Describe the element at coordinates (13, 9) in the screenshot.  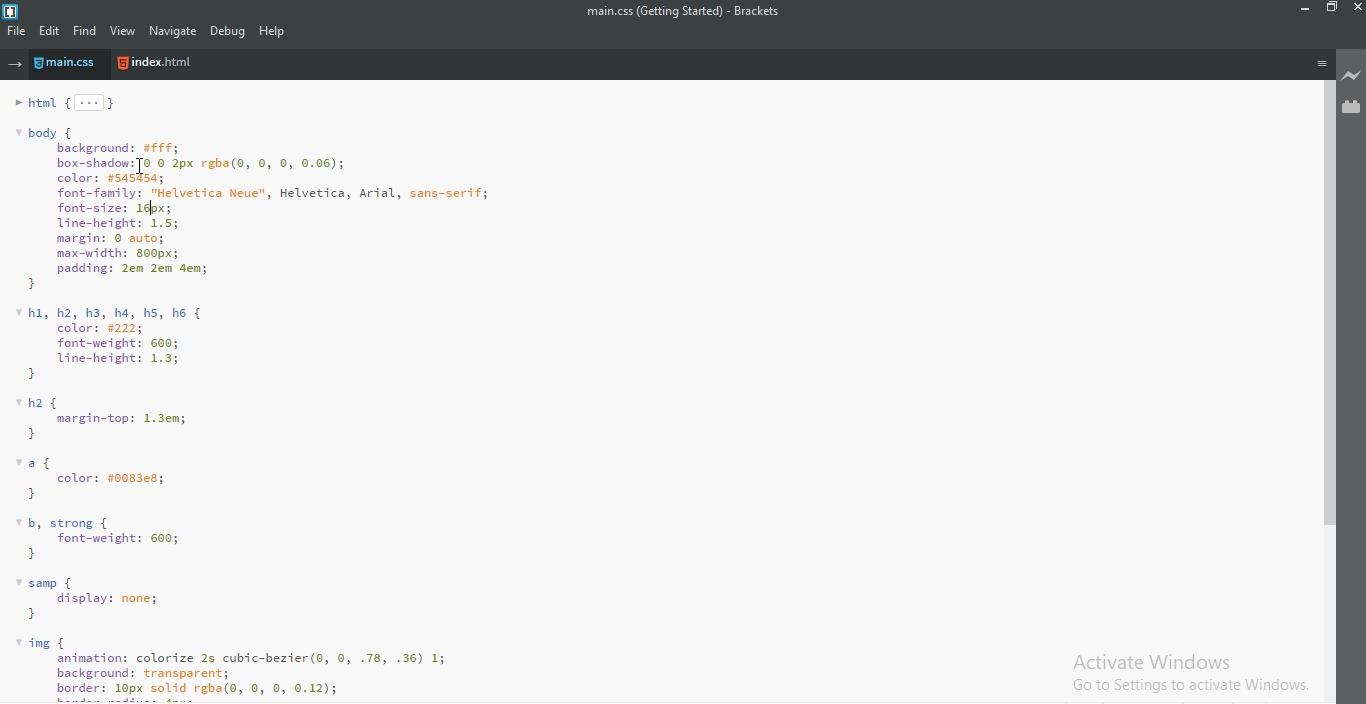
I see `logo` at that location.